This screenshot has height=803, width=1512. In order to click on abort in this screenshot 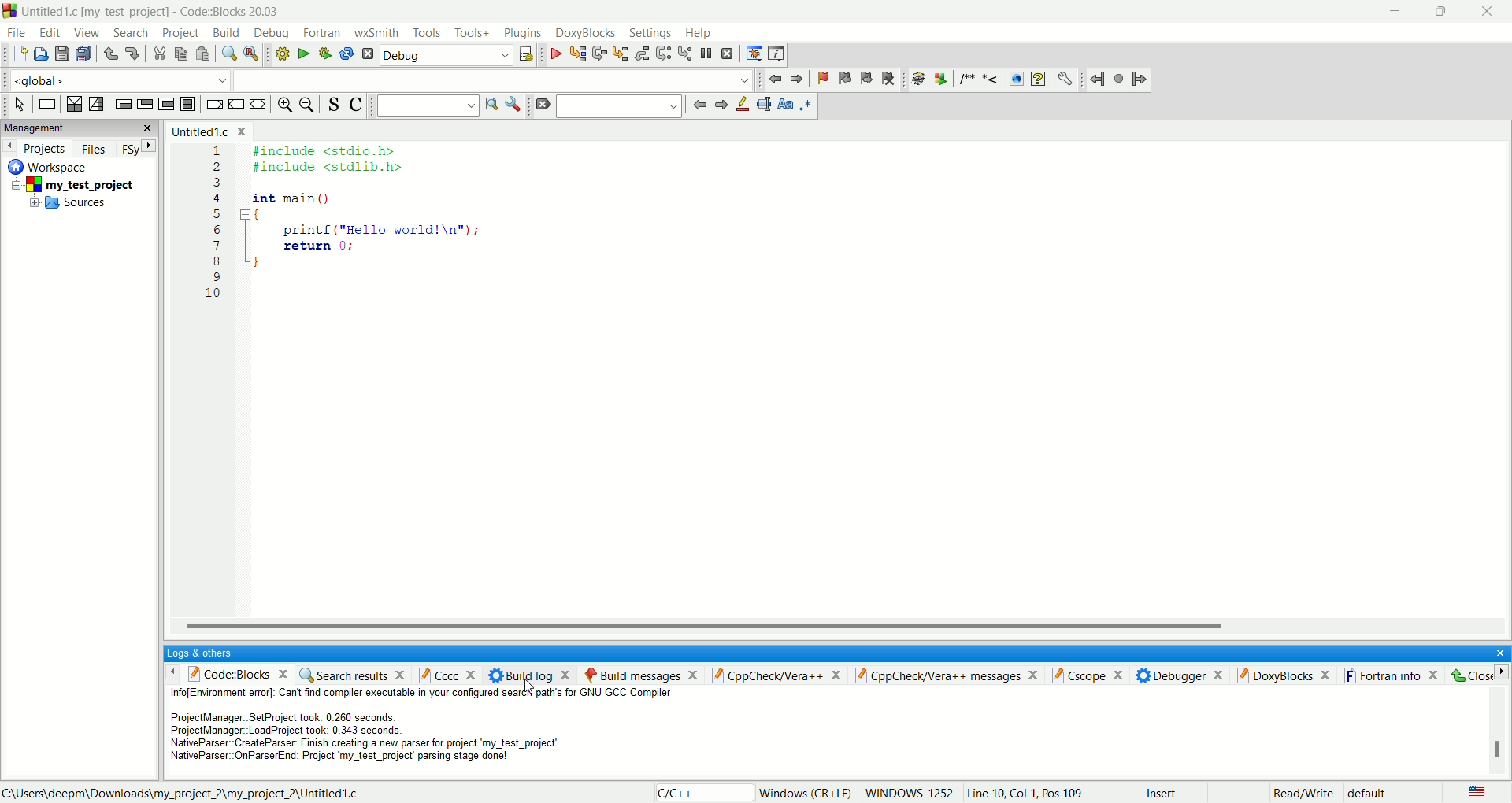, I will do `click(367, 54)`.